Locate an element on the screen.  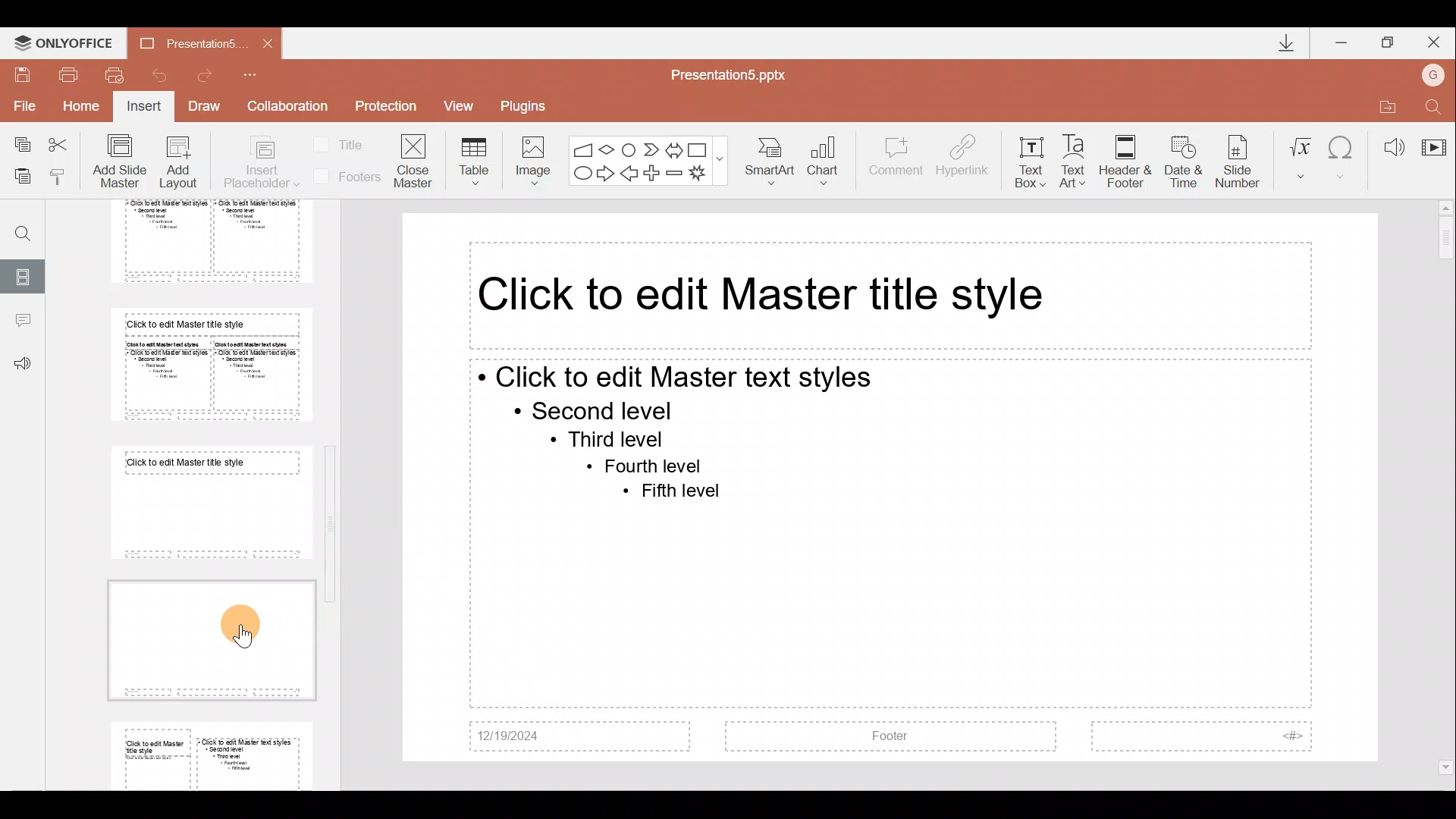
Title is located at coordinates (343, 143).